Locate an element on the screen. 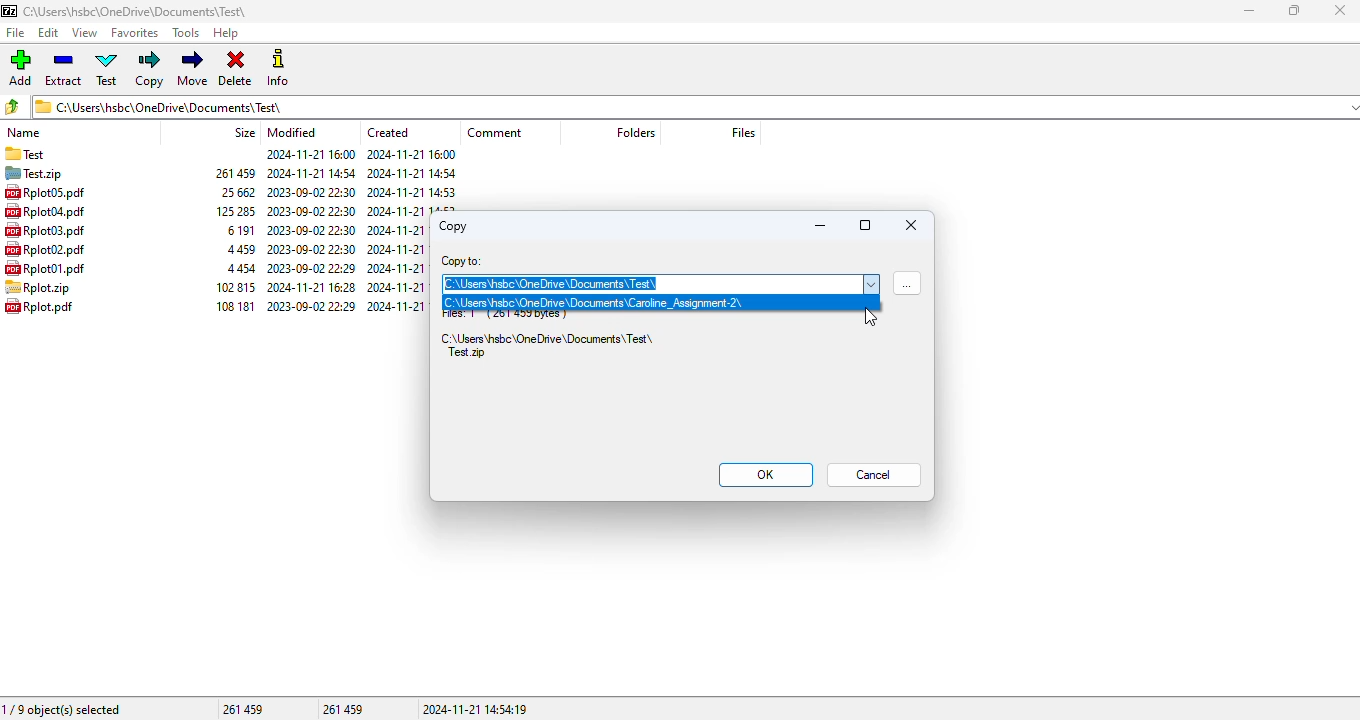  folders is located at coordinates (635, 131).